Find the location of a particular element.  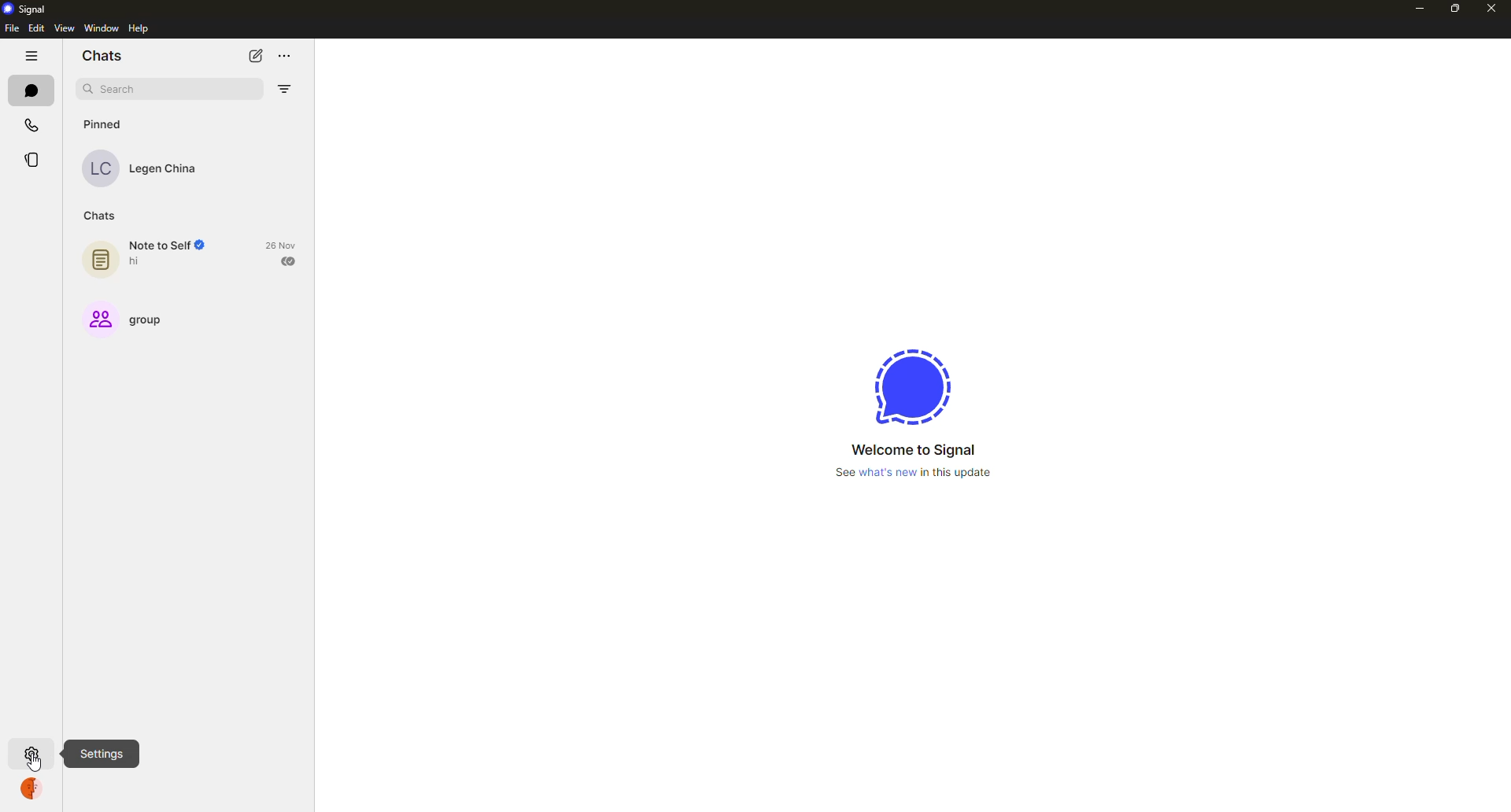

settings is located at coordinates (101, 755).